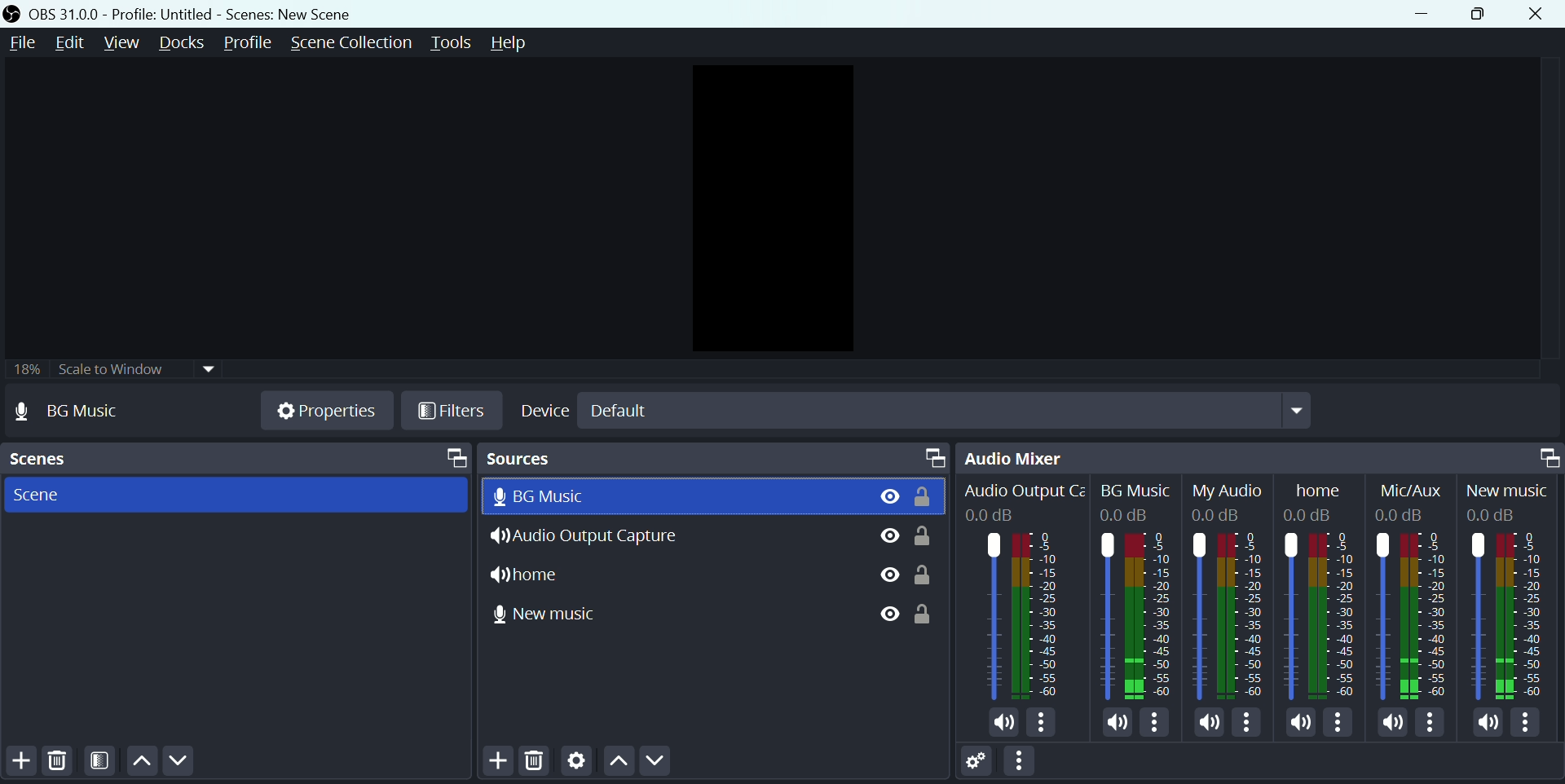 The width and height of the screenshot is (1565, 784). Describe the element at coordinates (1408, 590) in the screenshot. I see `Mic/Aux` at that location.